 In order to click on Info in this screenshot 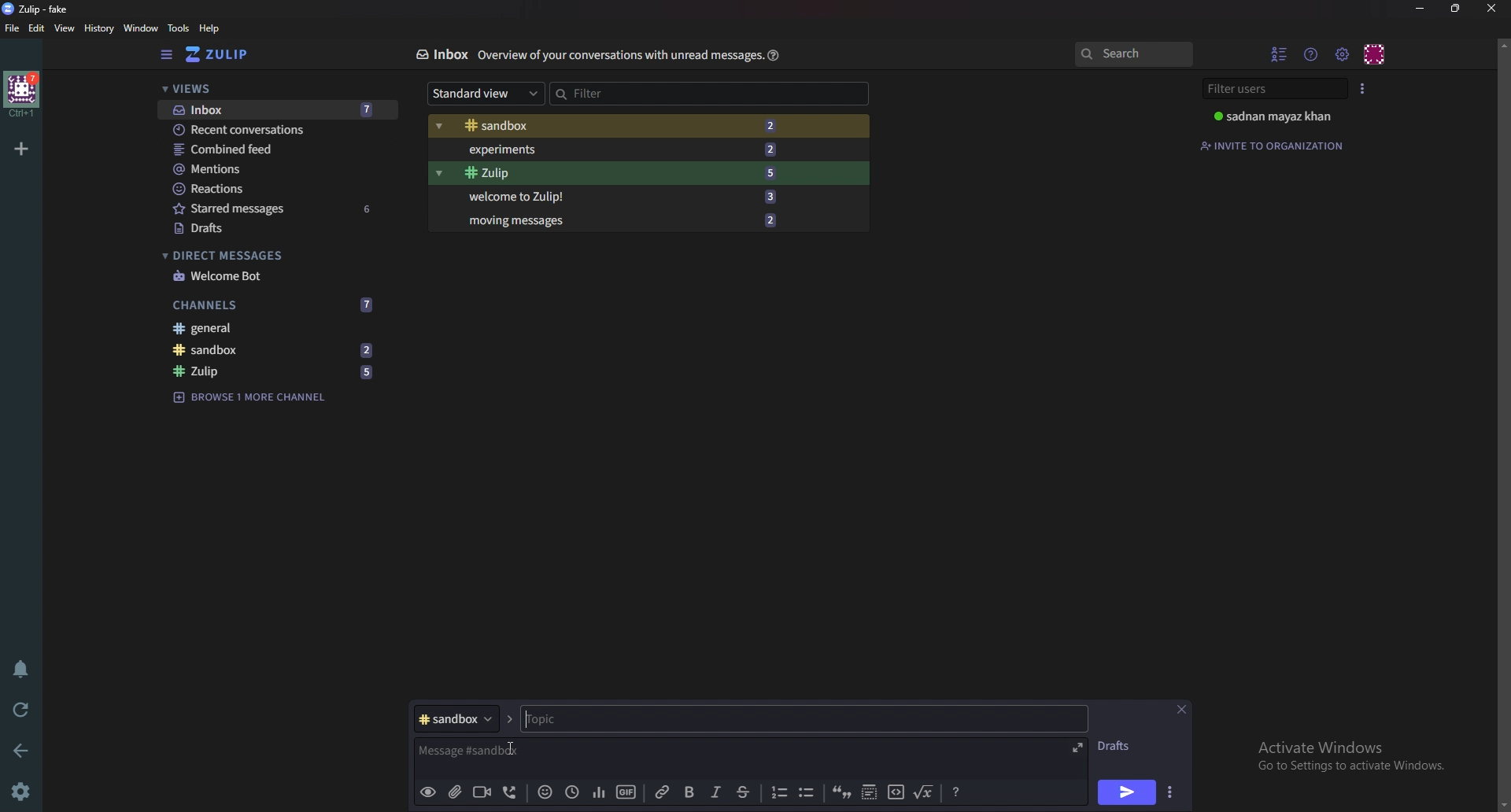, I will do `click(620, 54)`.